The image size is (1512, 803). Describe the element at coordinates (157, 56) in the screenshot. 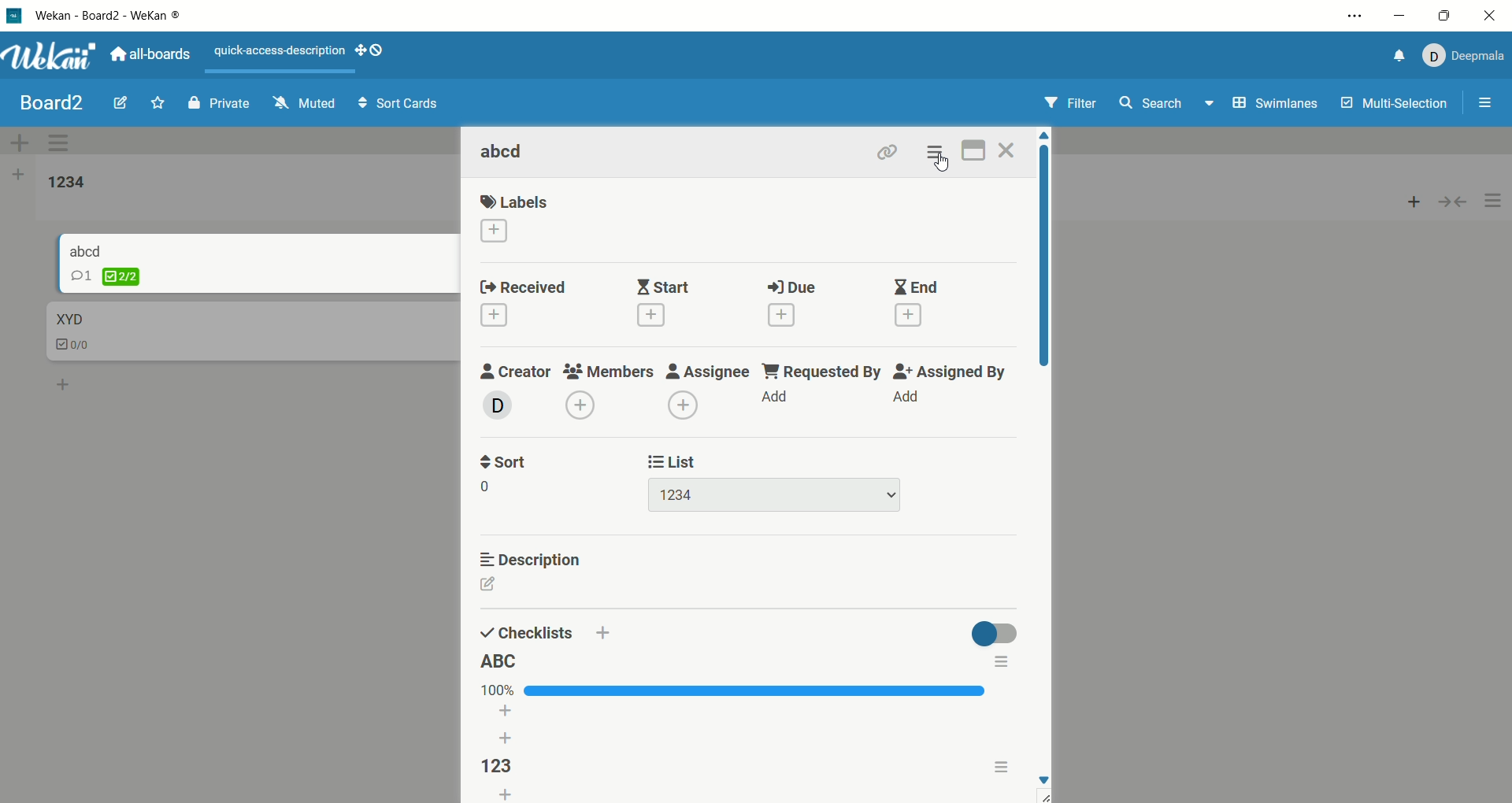

I see `all boards` at that location.